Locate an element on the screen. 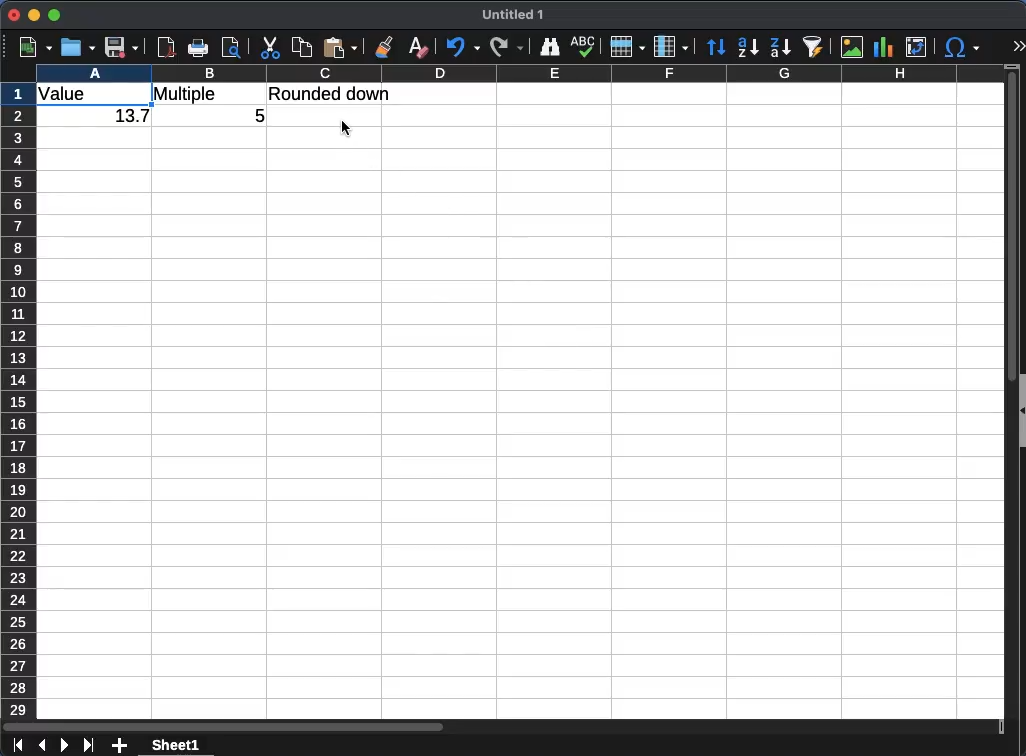 The height and width of the screenshot is (756, 1026). close is located at coordinates (15, 14).